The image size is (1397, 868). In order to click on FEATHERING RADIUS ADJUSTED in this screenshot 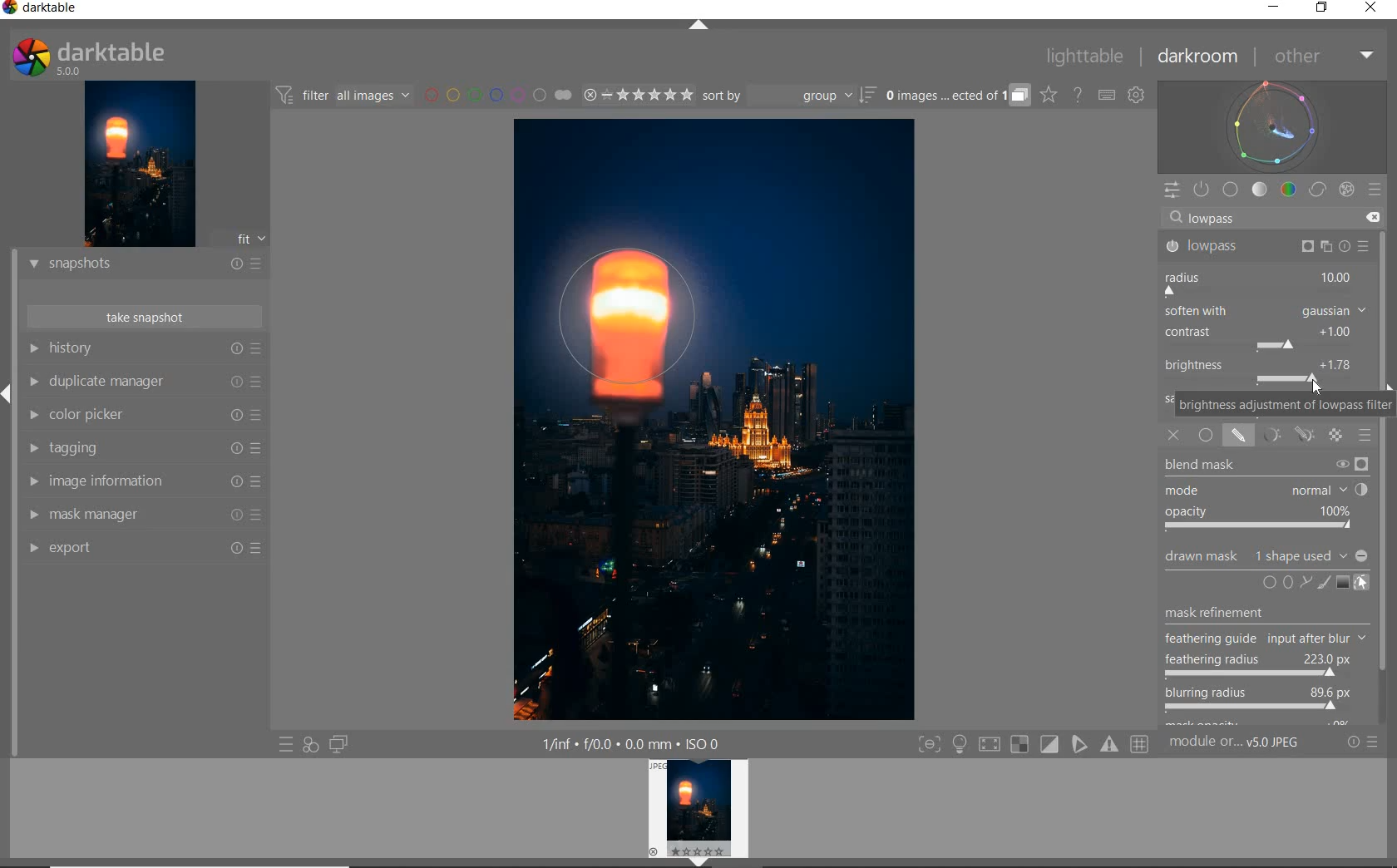, I will do `click(1261, 664)`.